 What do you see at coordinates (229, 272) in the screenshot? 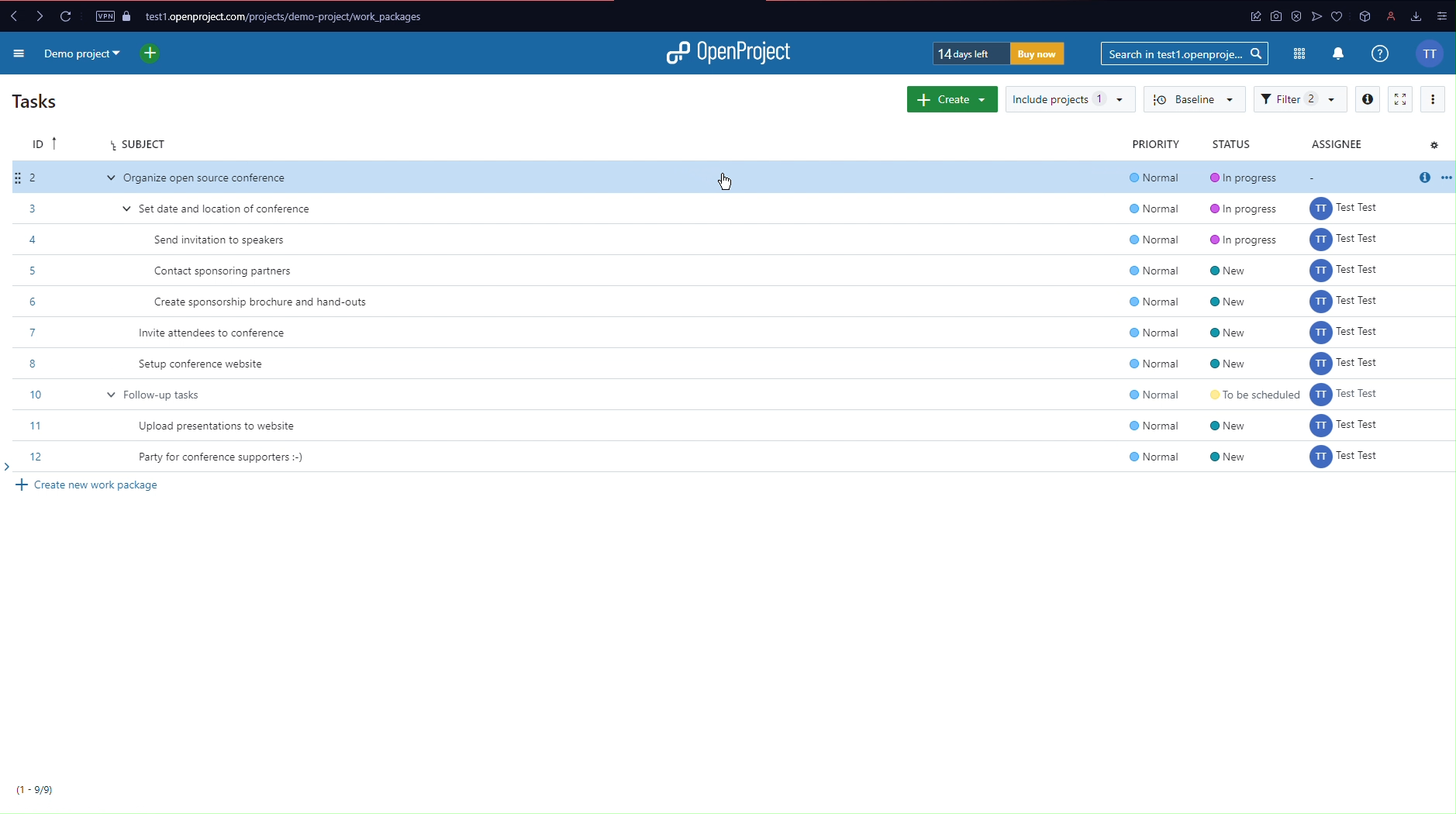
I see `Contact sponsoring partners` at bounding box center [229, 272].